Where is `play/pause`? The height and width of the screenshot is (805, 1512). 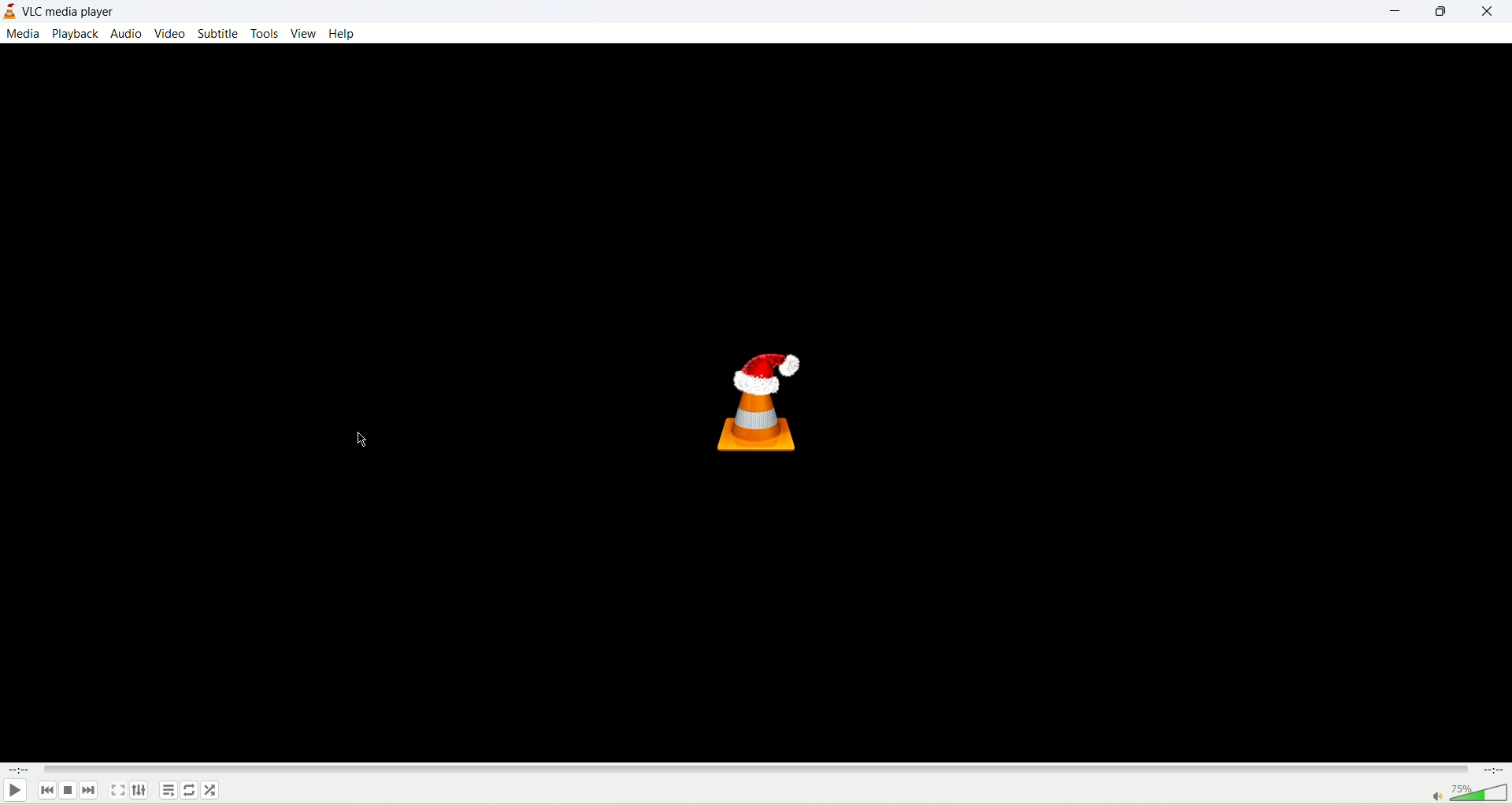 play/pause is located at coordinates (16, 791).